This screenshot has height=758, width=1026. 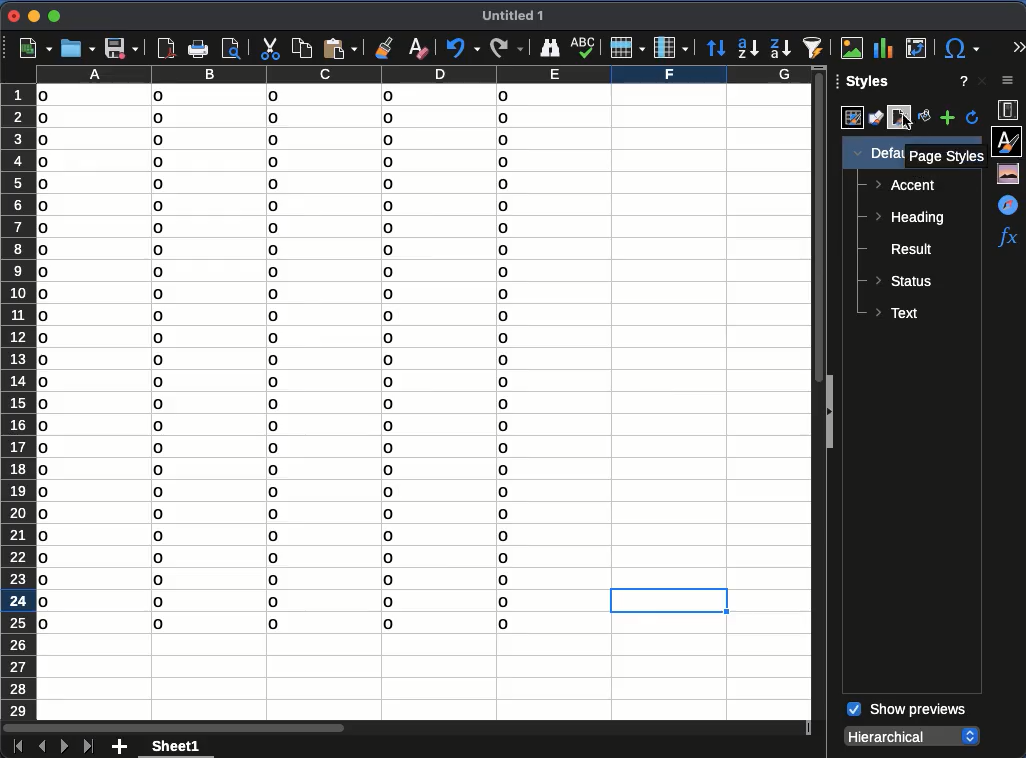 I want to click on collapse, so click(x=828, y=412).